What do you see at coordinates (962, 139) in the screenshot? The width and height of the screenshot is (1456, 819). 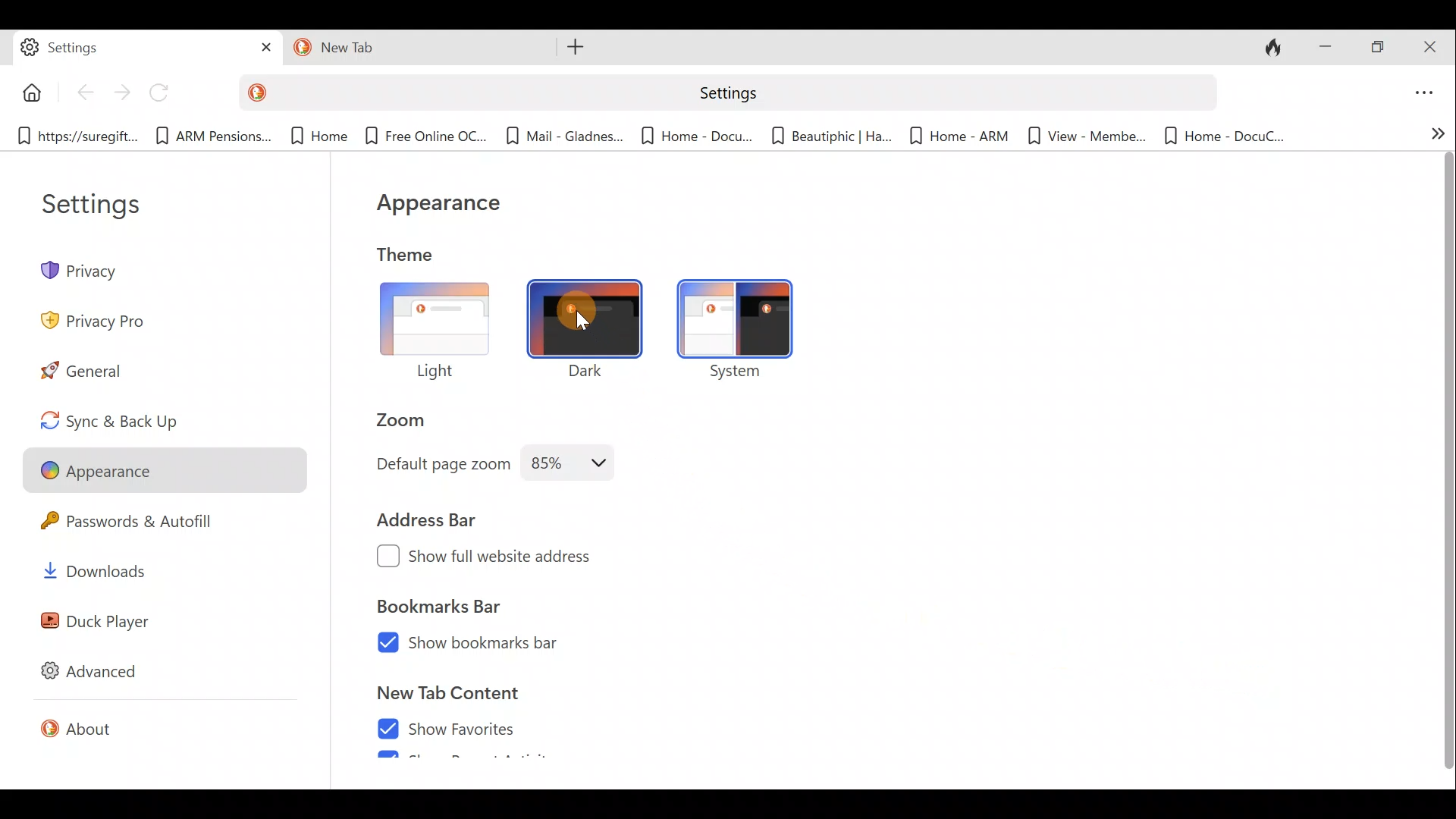 I see `Bookmark 8` at bounding box center [962, 139].